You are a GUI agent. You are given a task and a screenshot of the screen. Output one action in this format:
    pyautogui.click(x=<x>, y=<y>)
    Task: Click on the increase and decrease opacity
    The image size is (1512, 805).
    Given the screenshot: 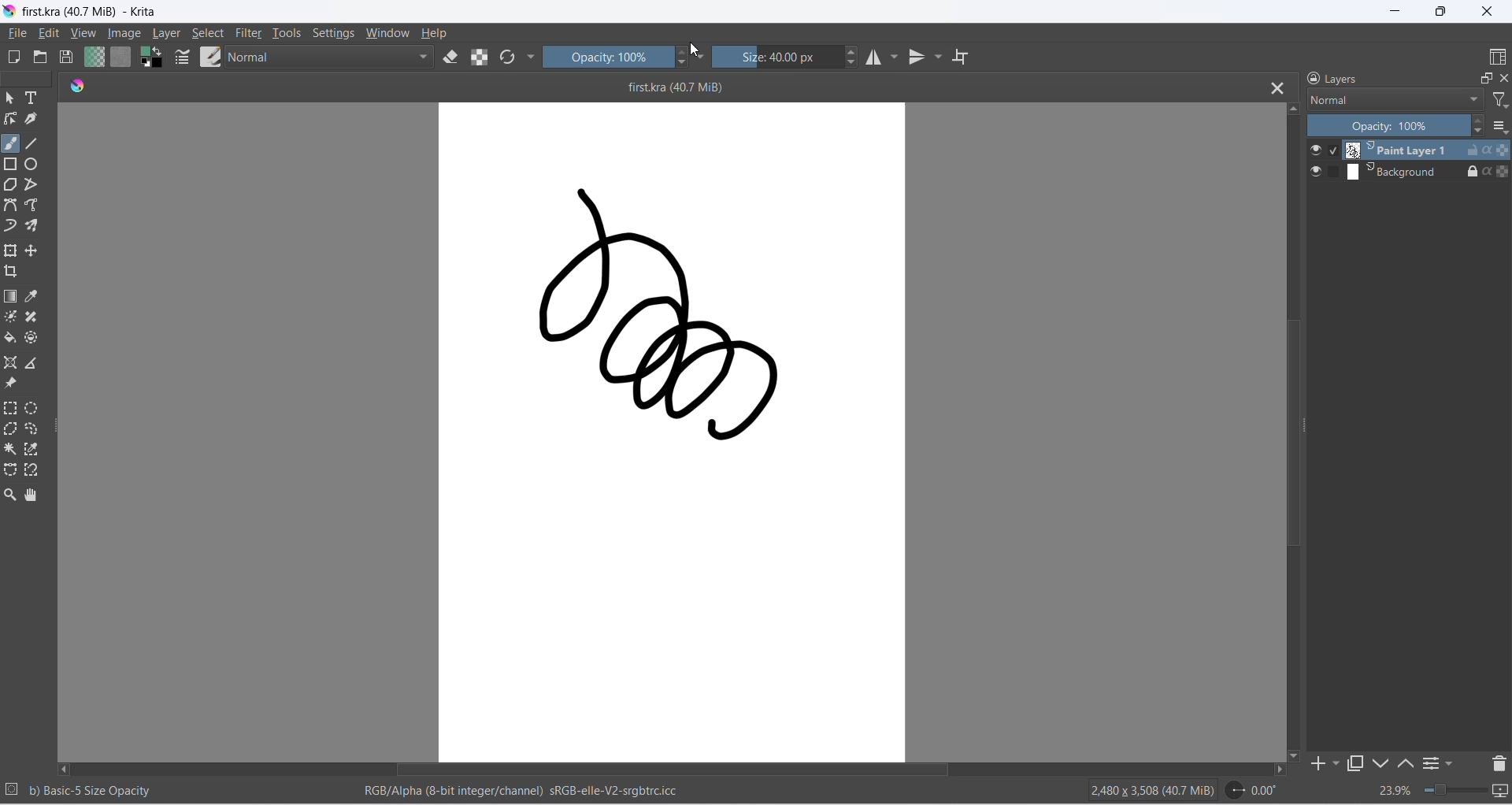 What is the action you would take?
    pyautogui.click(x=681, y=57)
    